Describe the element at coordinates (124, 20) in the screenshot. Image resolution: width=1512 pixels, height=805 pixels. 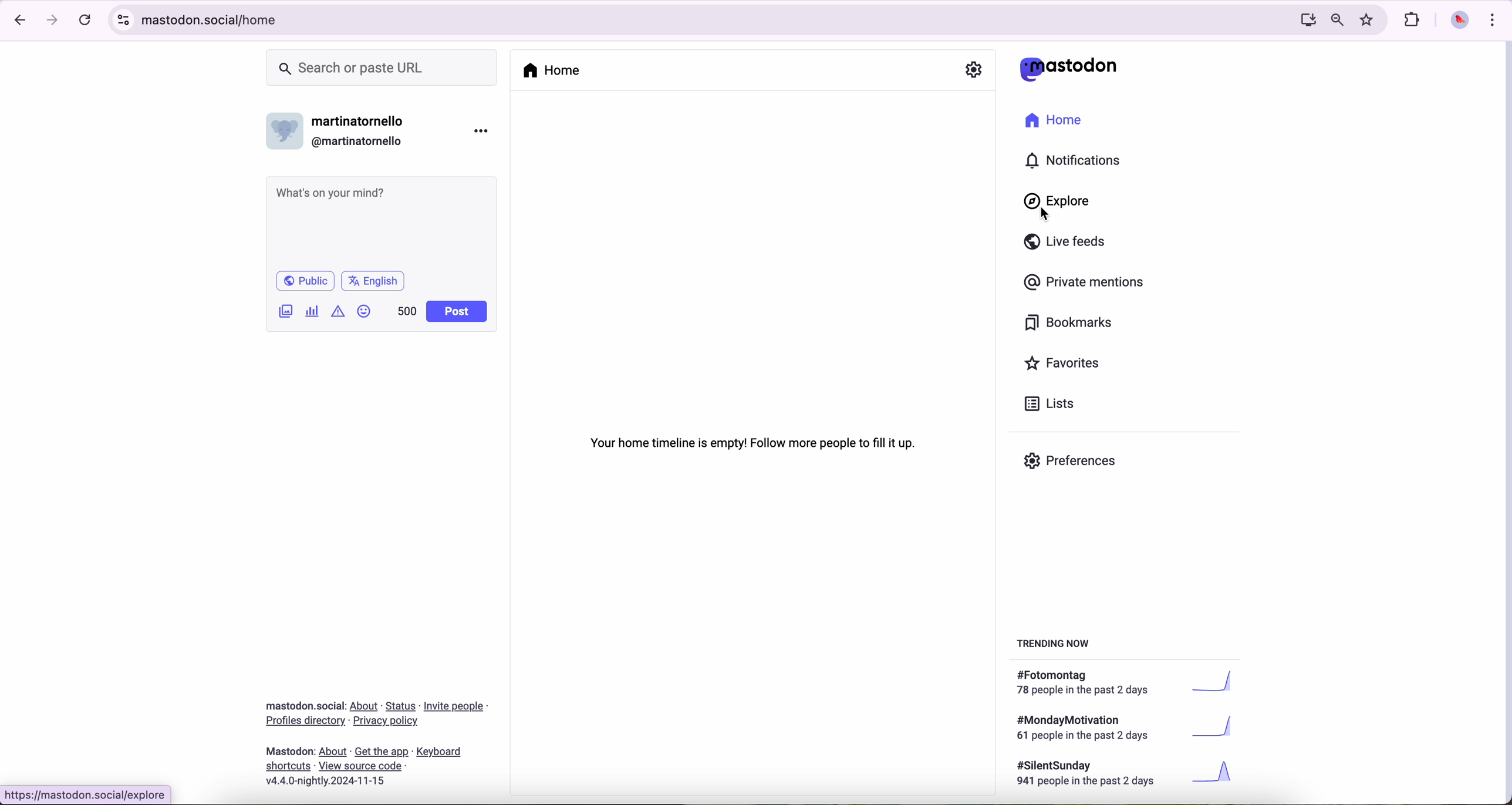
I see `controls` at that location.